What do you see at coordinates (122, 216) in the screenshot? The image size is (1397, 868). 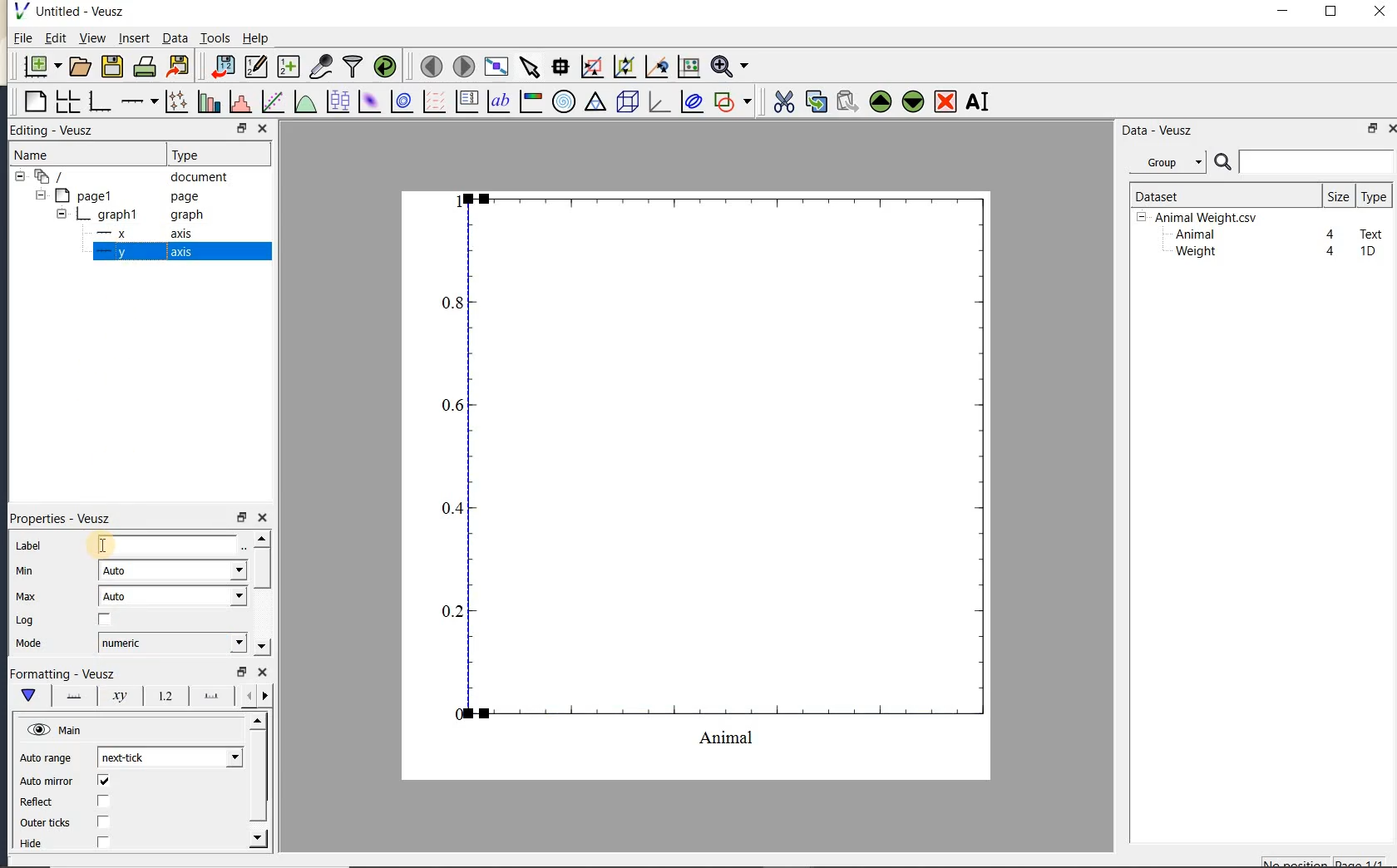 I see `graph1` at bounding box center [122, 216].